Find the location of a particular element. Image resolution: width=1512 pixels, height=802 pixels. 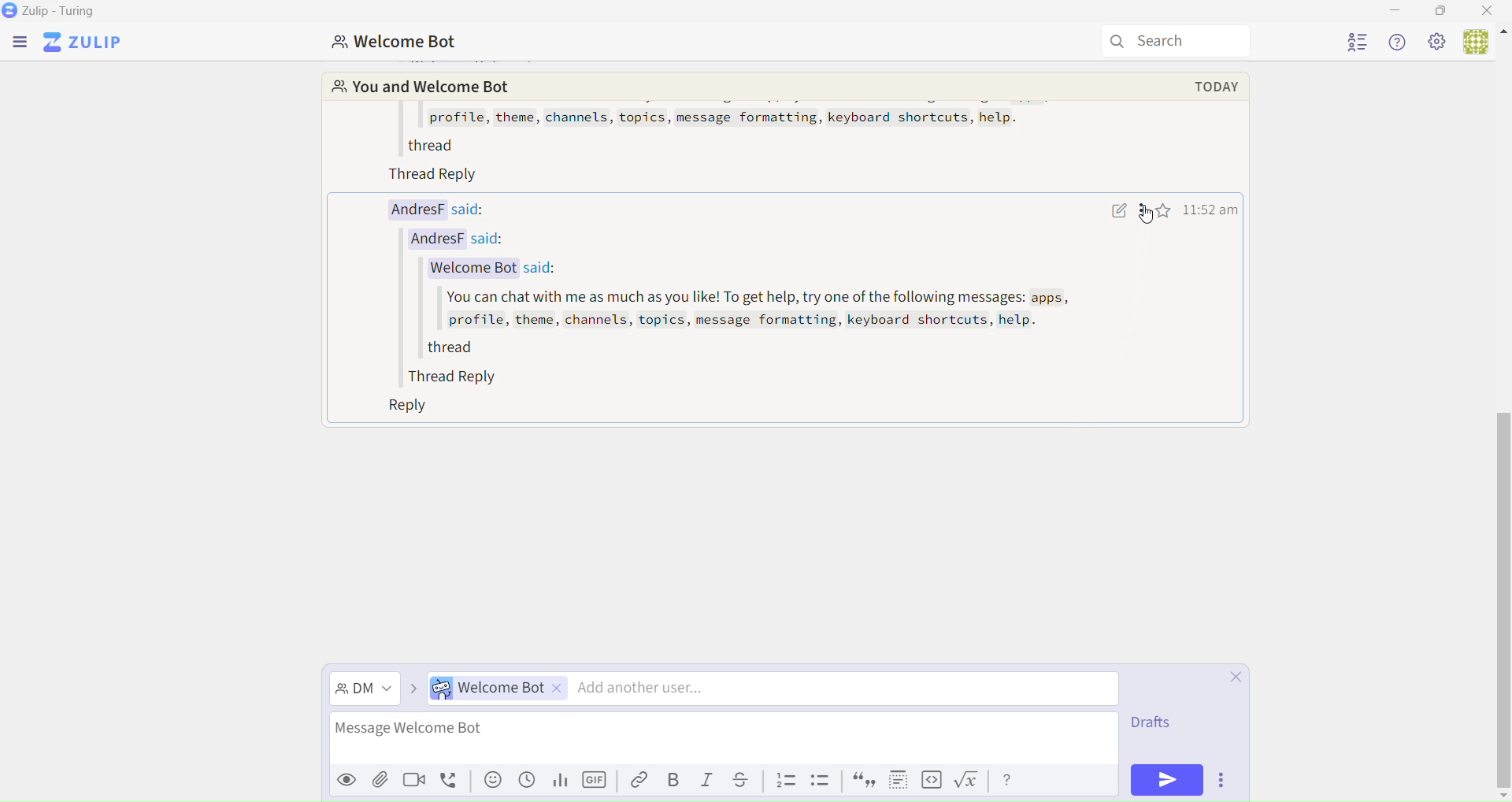

 You and Welcome Bot is located at coordinates (417, 88).